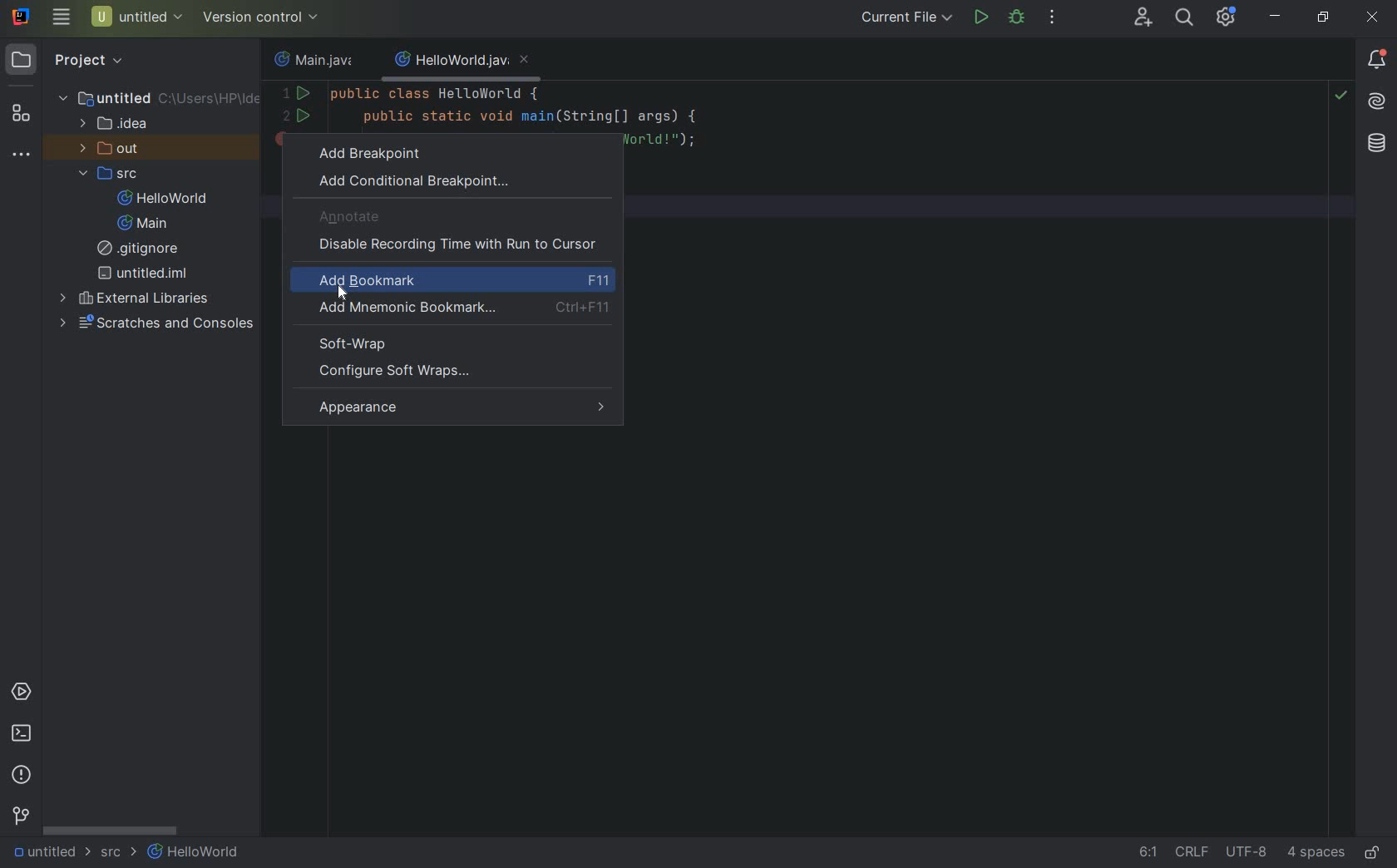 Image resolution: width=1397 pixels, height=868 pixels. Describe the element at coordinates (114, 175) in the screenshot. I see `src` at that location.